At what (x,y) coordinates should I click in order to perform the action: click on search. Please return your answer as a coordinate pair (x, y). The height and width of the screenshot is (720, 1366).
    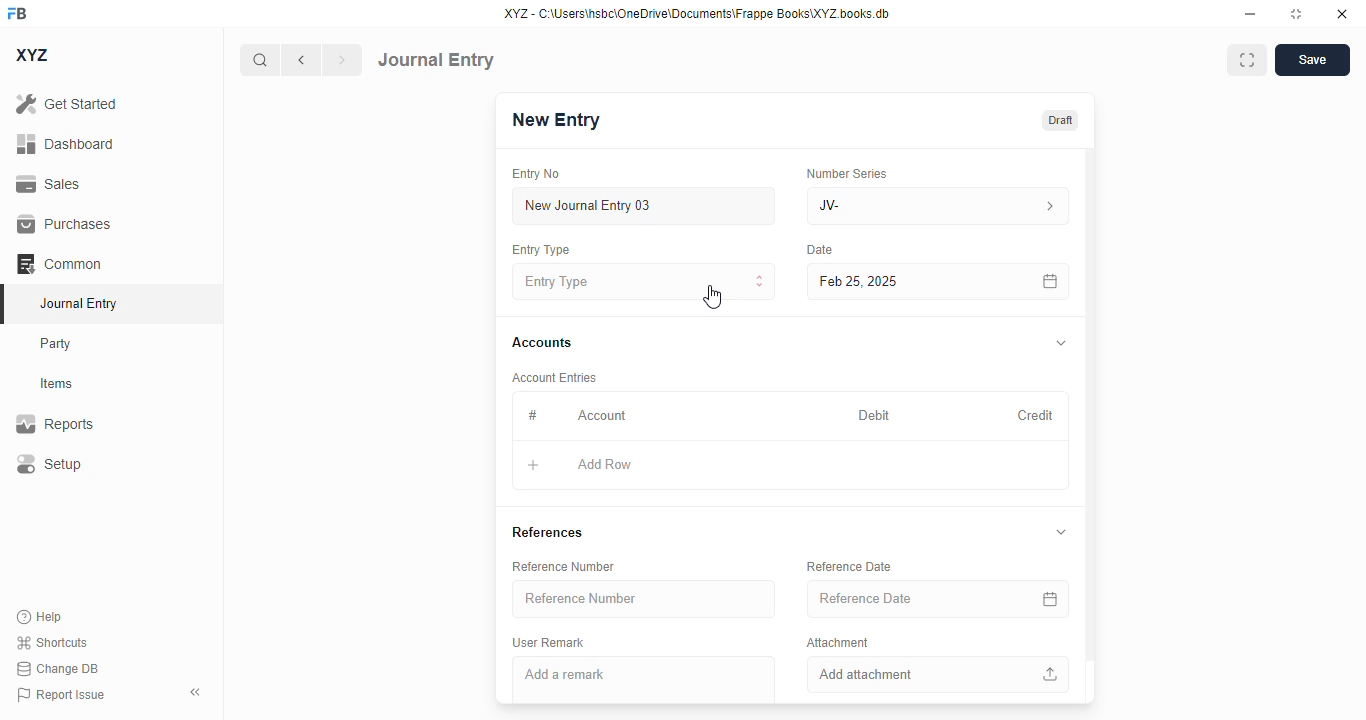
    Looking at the image, I should click on (259, 60).